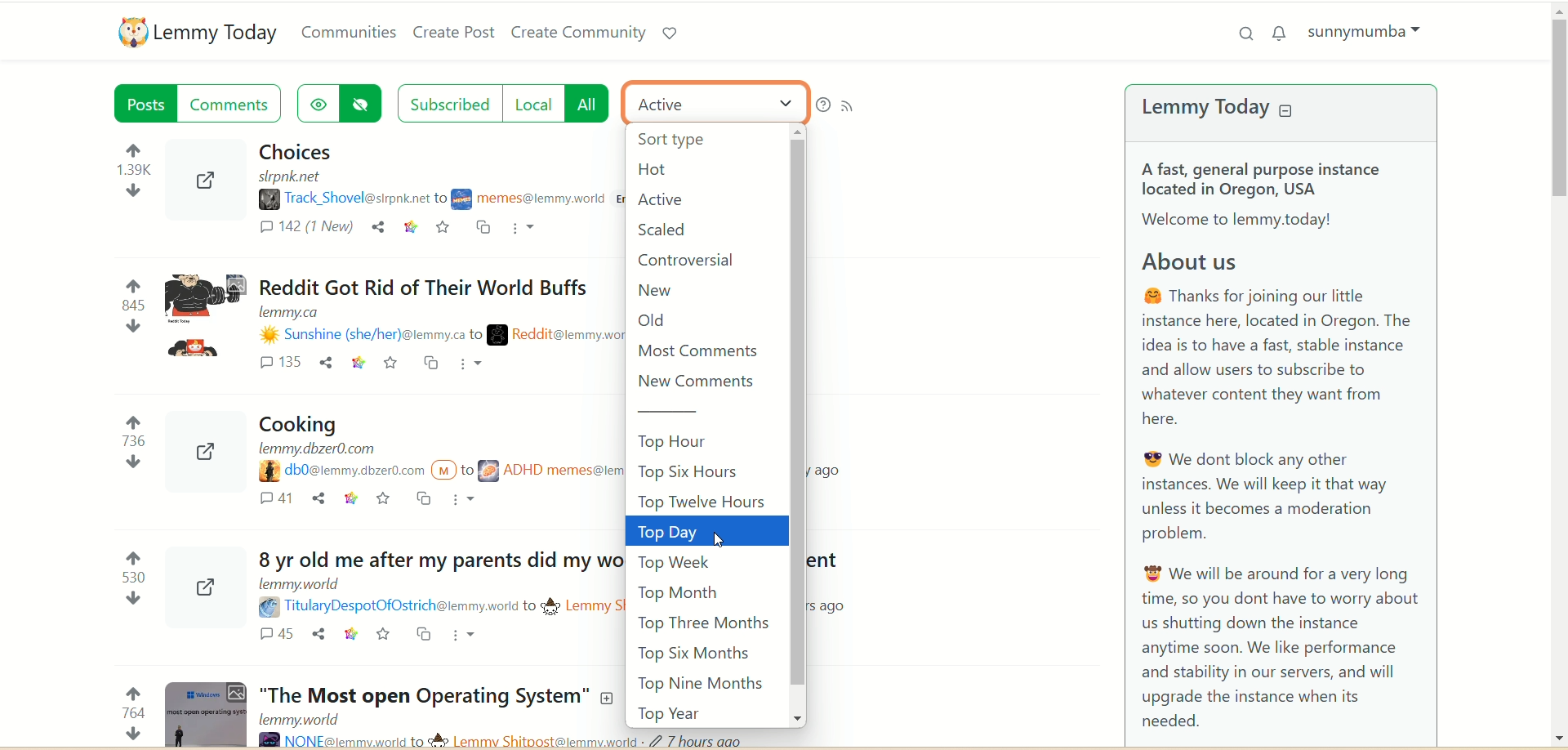 The image size is (1568, 750). Describe the element at coordinates (674, 714) in the screenshot. I see `top year` at that location.